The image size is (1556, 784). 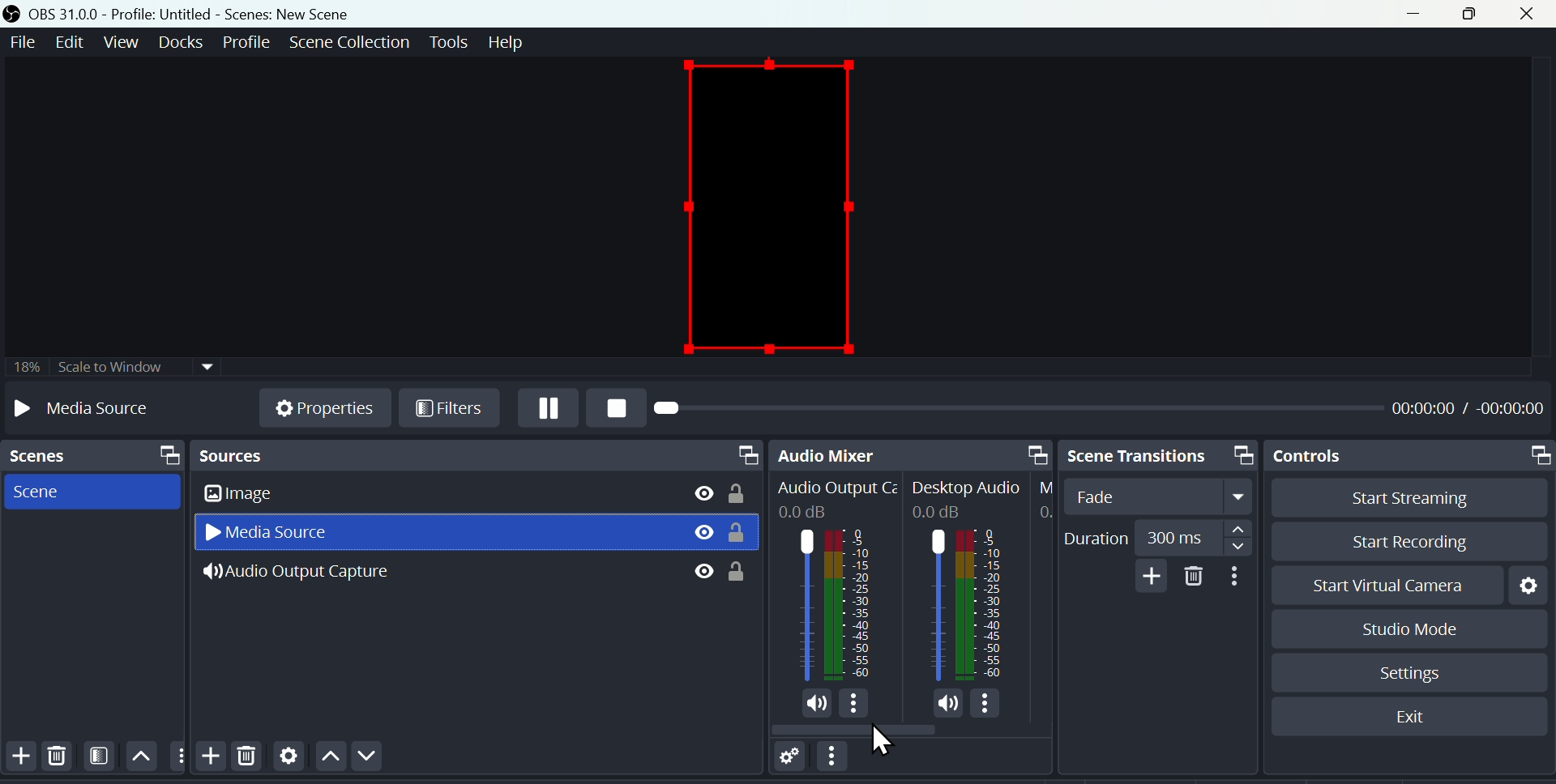 What do you see at coordinates (1191, 575) in the screenshot?
I see `Delete` at bounding box center [1191, 575].